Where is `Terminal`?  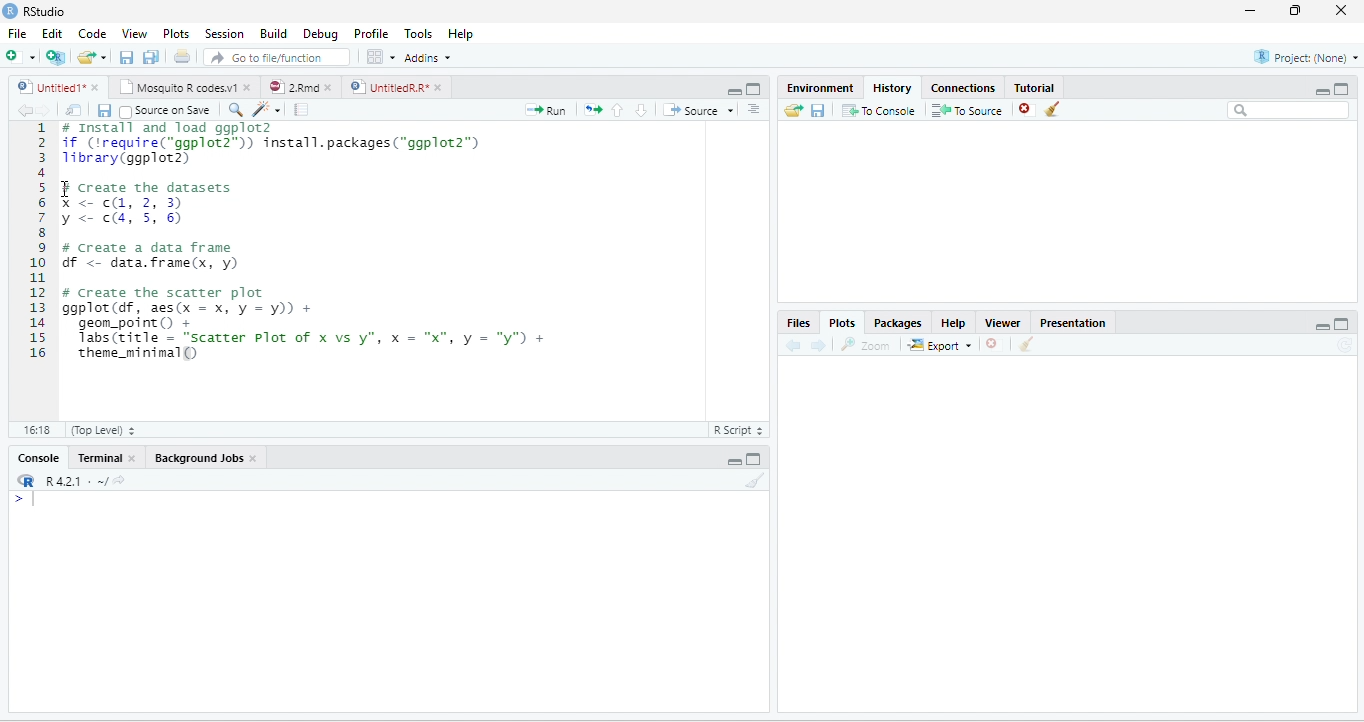
Terminal is located at coordinates (99, 458).